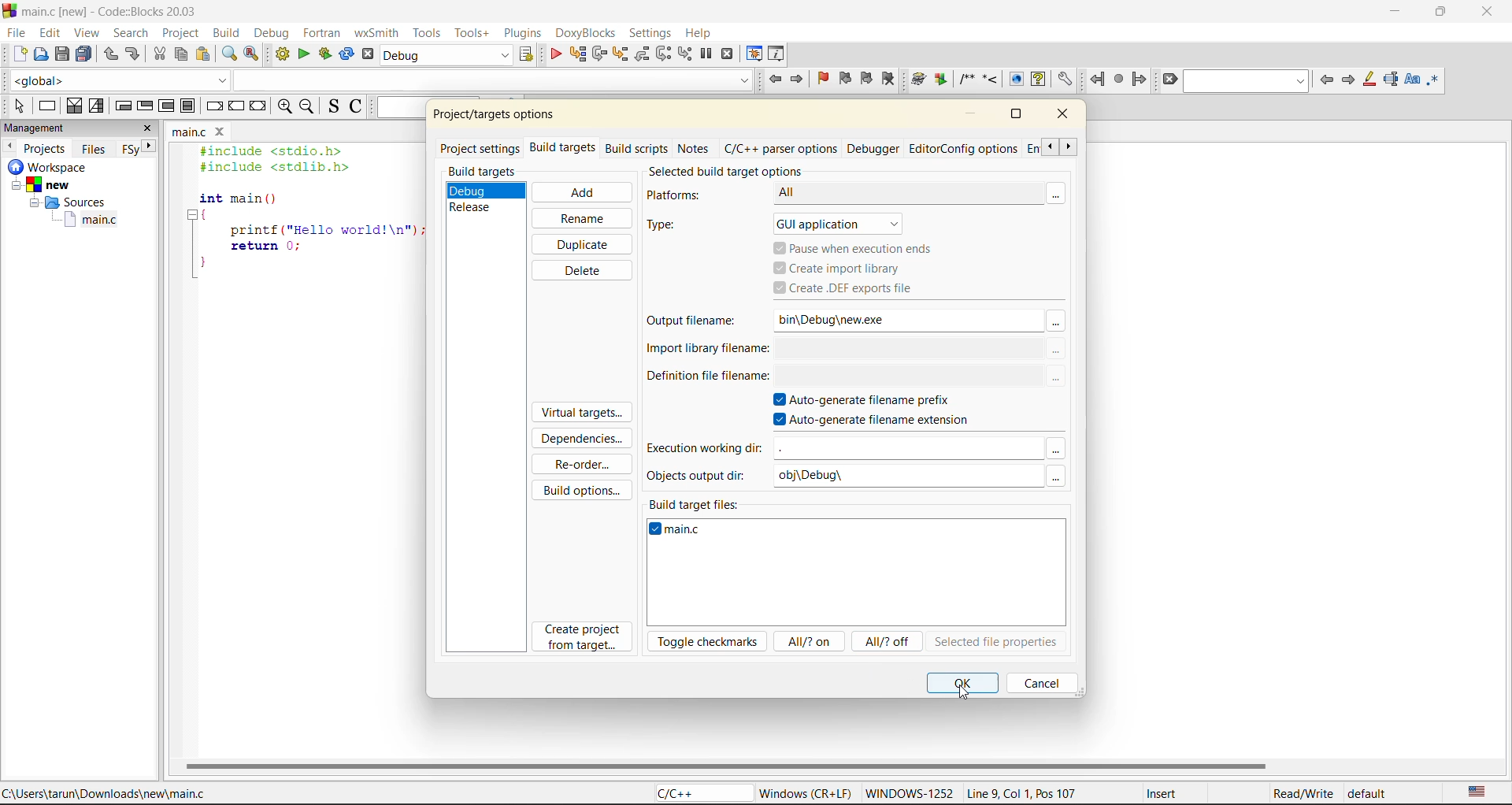 The width and height of the screenshot is (1512, 805). Describe the element at coordinates (65, 202) in the screenshot. I see `Sources` at that location.